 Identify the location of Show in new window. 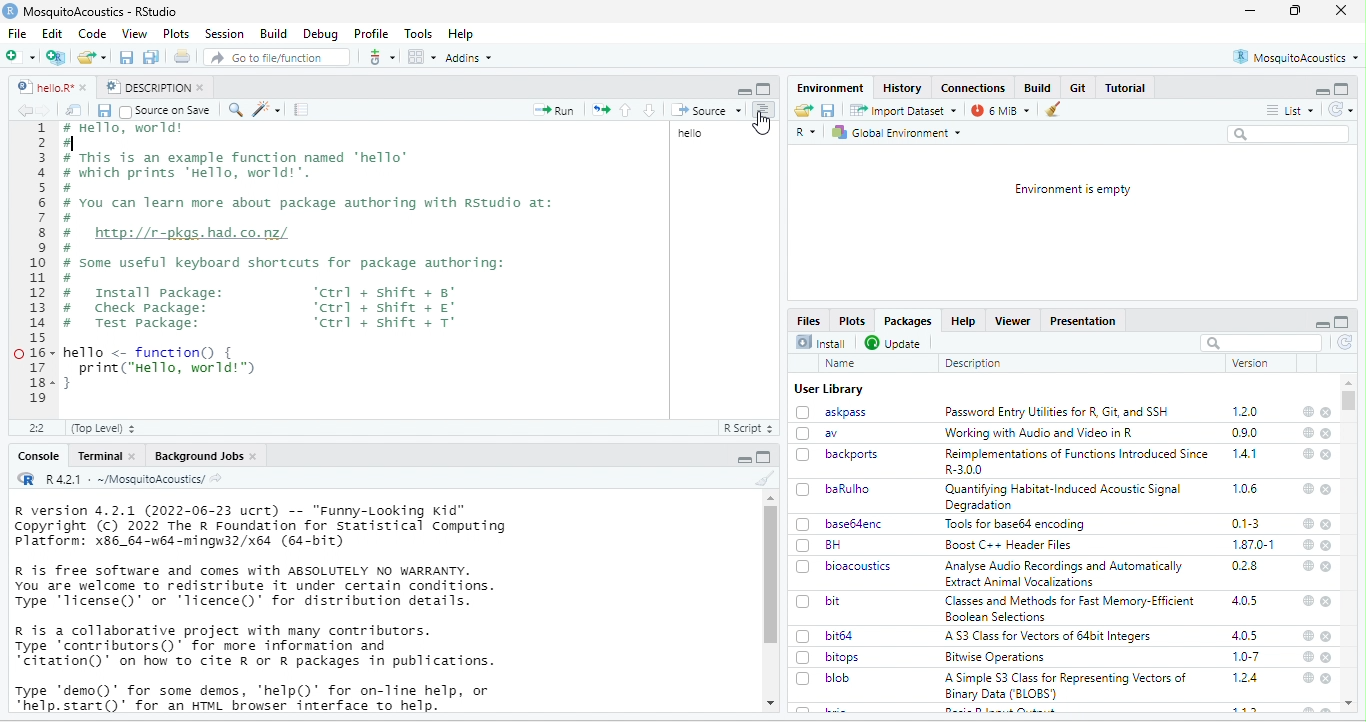
(74, 110).